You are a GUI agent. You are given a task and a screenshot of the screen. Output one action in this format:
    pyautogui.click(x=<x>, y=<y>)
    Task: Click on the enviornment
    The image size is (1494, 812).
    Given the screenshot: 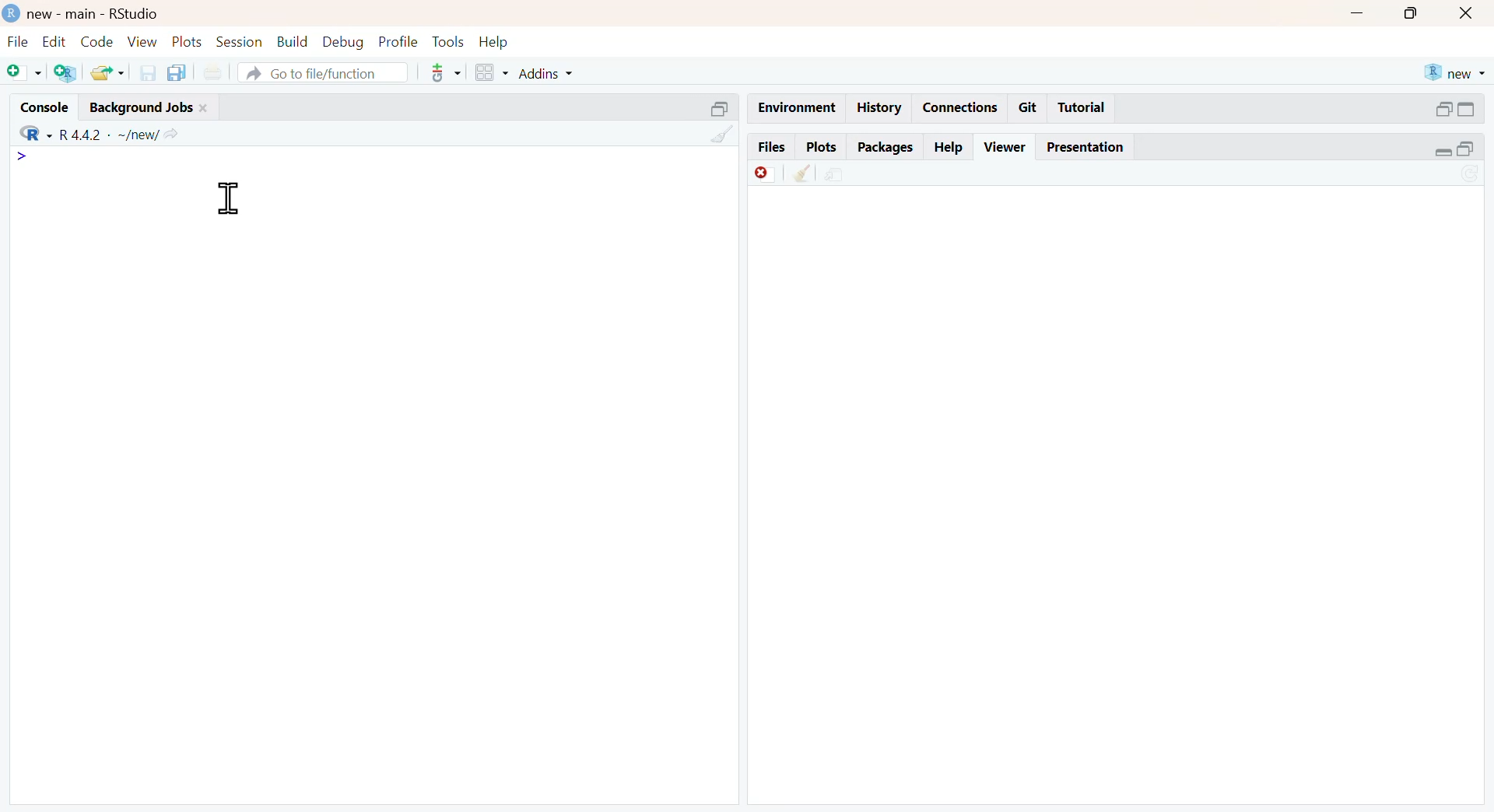 What is the action you would take?
    pyautogui.click(x=798, y=107)
    